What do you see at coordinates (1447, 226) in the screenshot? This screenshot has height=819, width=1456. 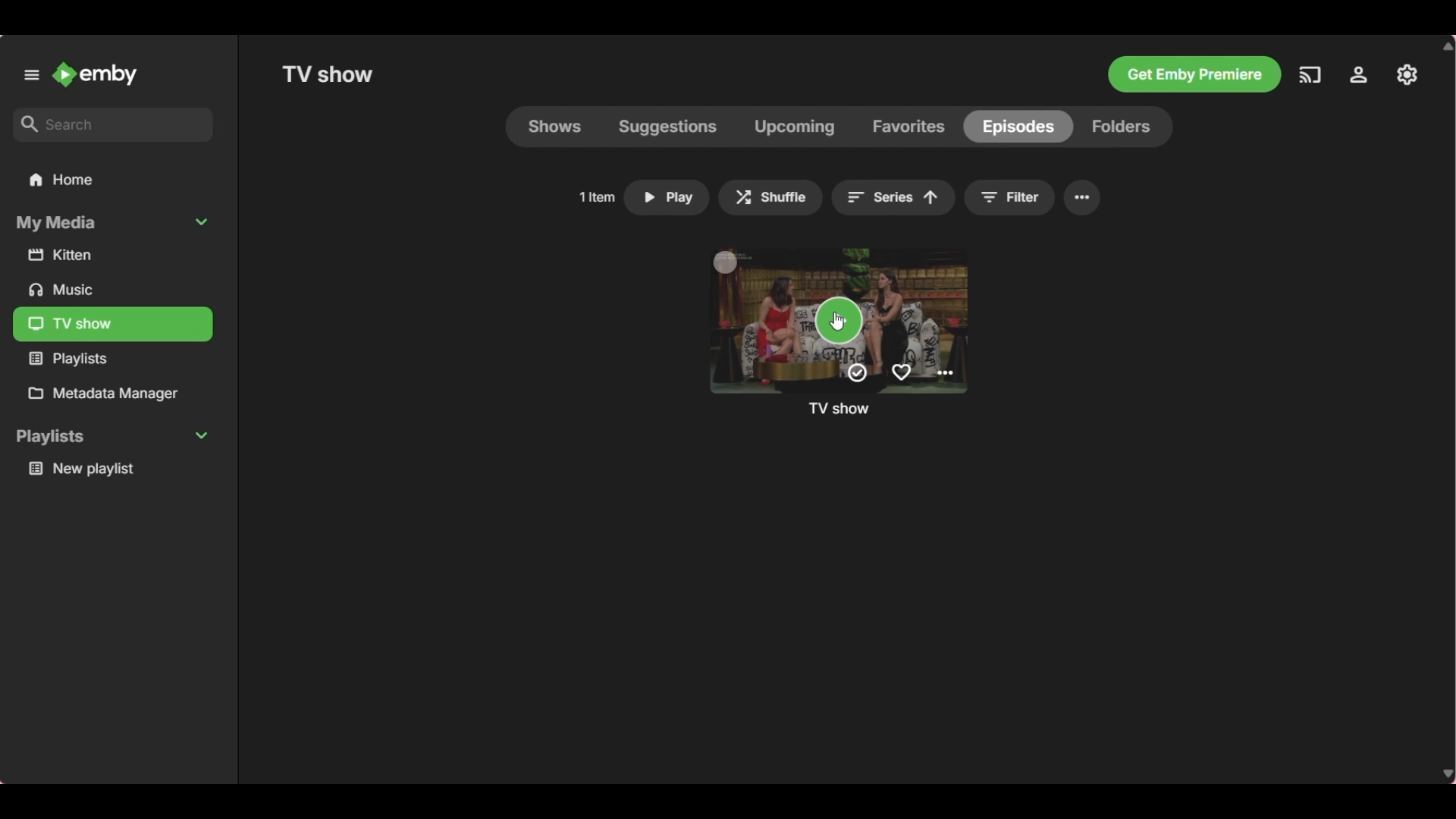 I see `Vertical slide bar` at bounding box center [1447, 226].